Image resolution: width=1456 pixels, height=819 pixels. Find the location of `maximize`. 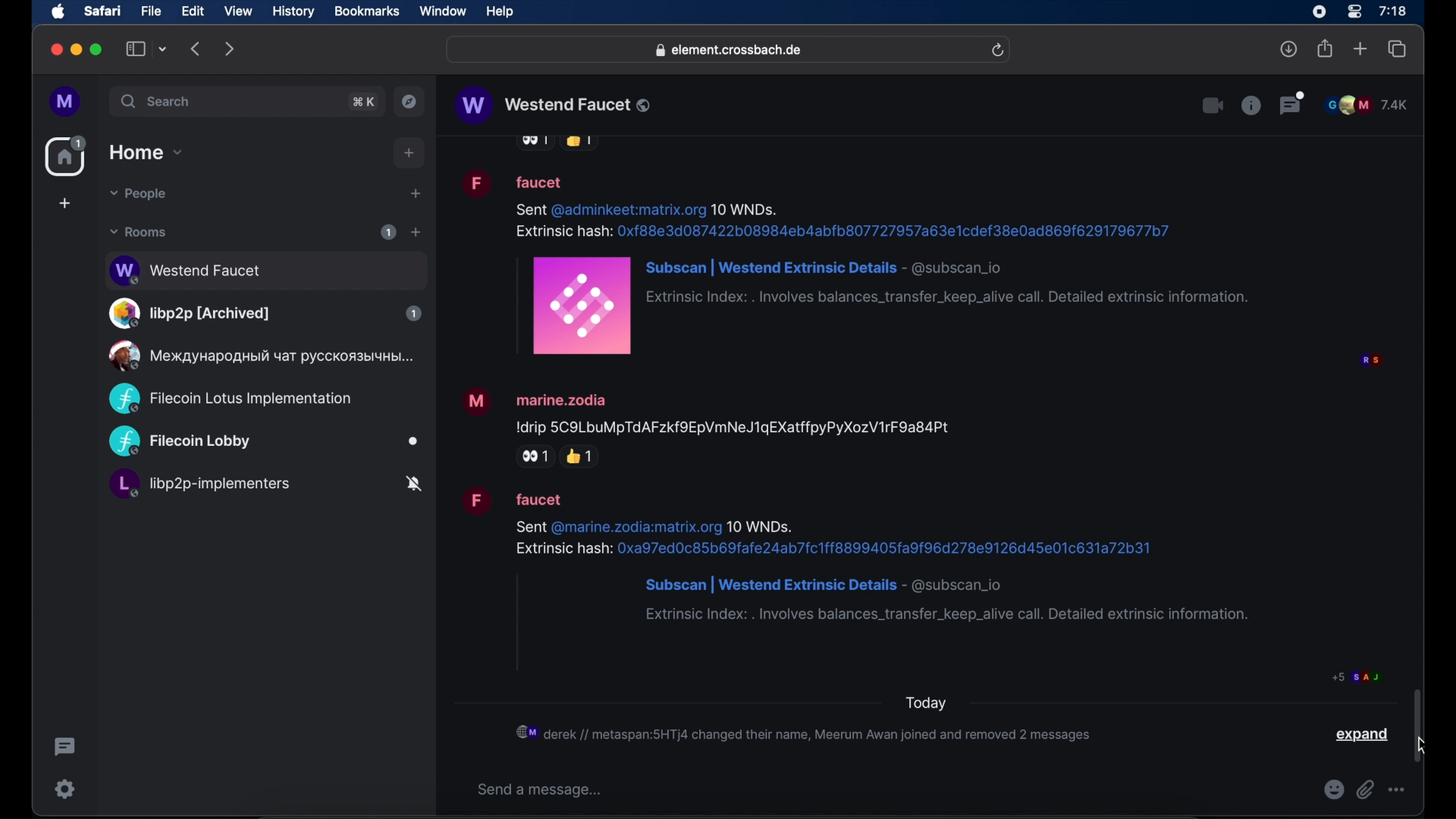

maximize is located at coordinates (98, 49).